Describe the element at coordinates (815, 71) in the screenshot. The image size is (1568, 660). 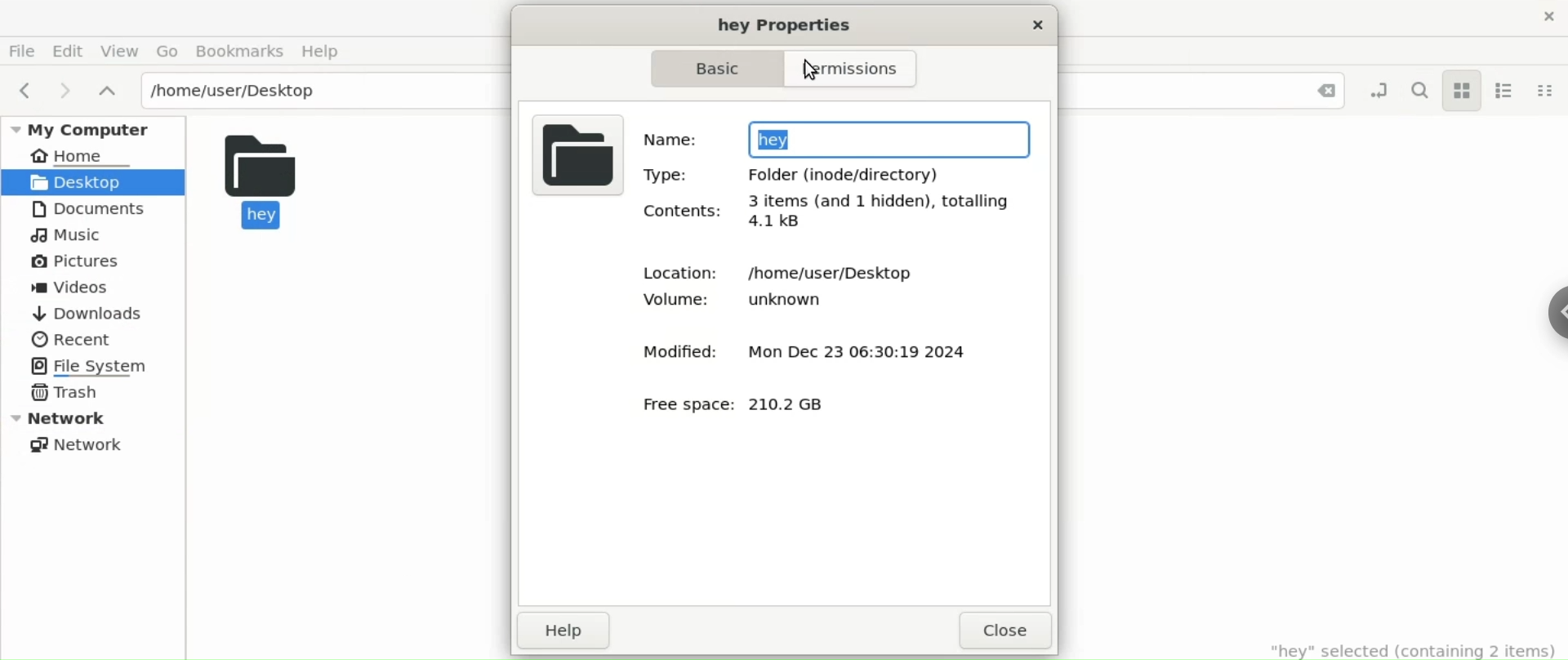
I see `Cursor` at that location.